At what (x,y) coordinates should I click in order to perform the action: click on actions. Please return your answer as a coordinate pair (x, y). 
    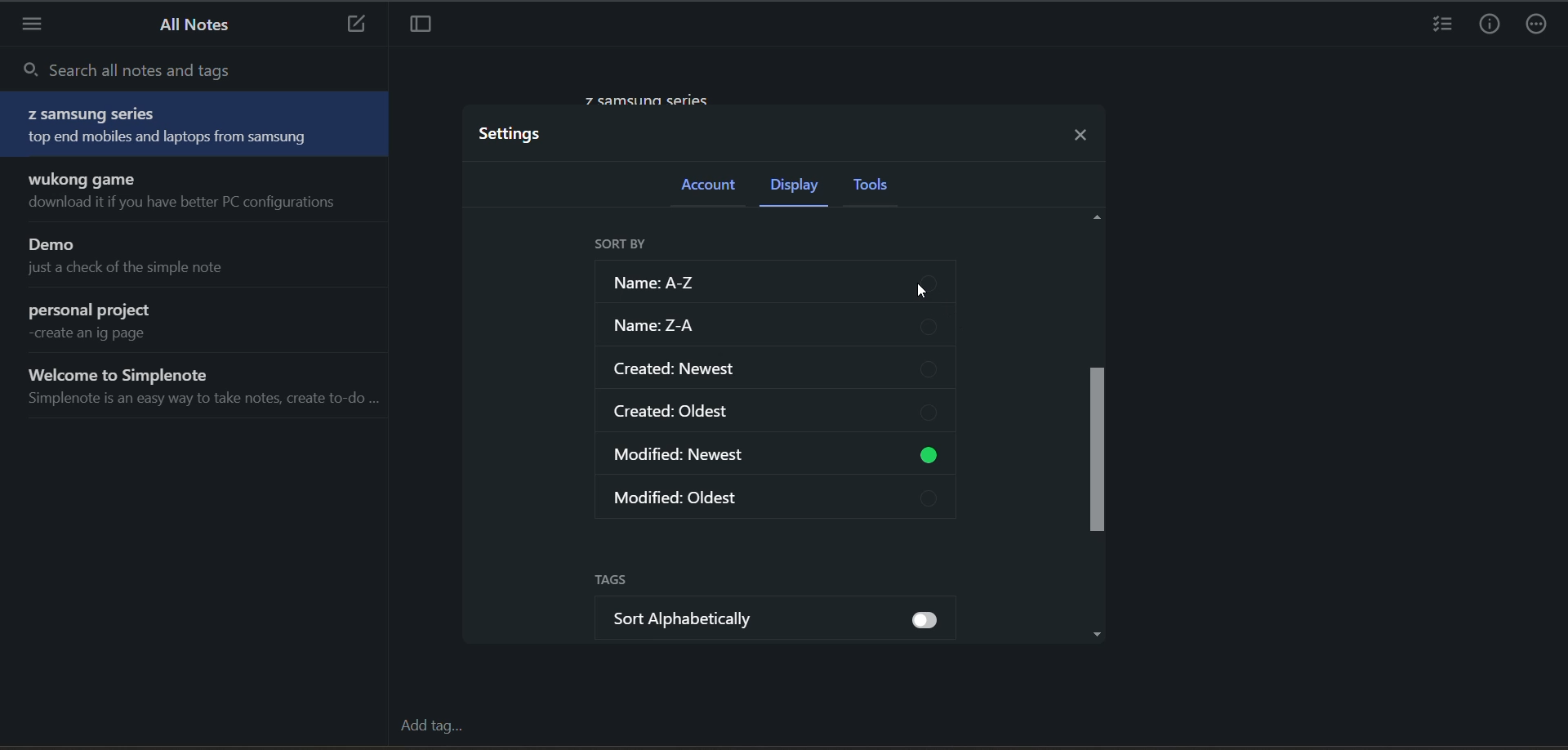
    Looking at the image, I should click on (1539, 25).